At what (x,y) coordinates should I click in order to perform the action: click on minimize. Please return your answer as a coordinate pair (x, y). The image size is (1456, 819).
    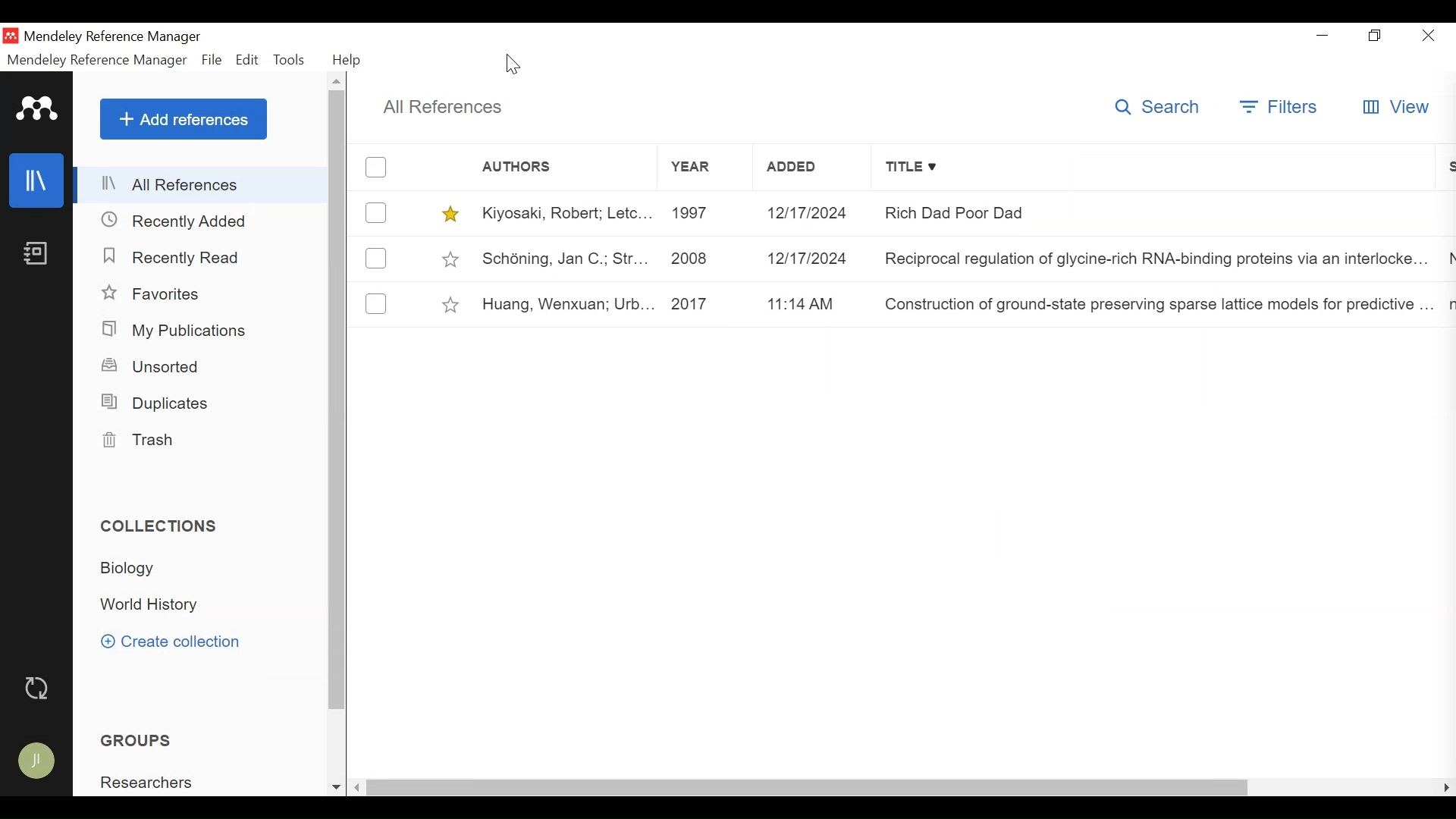
    Looking at the image, I should click on (1323, 34).